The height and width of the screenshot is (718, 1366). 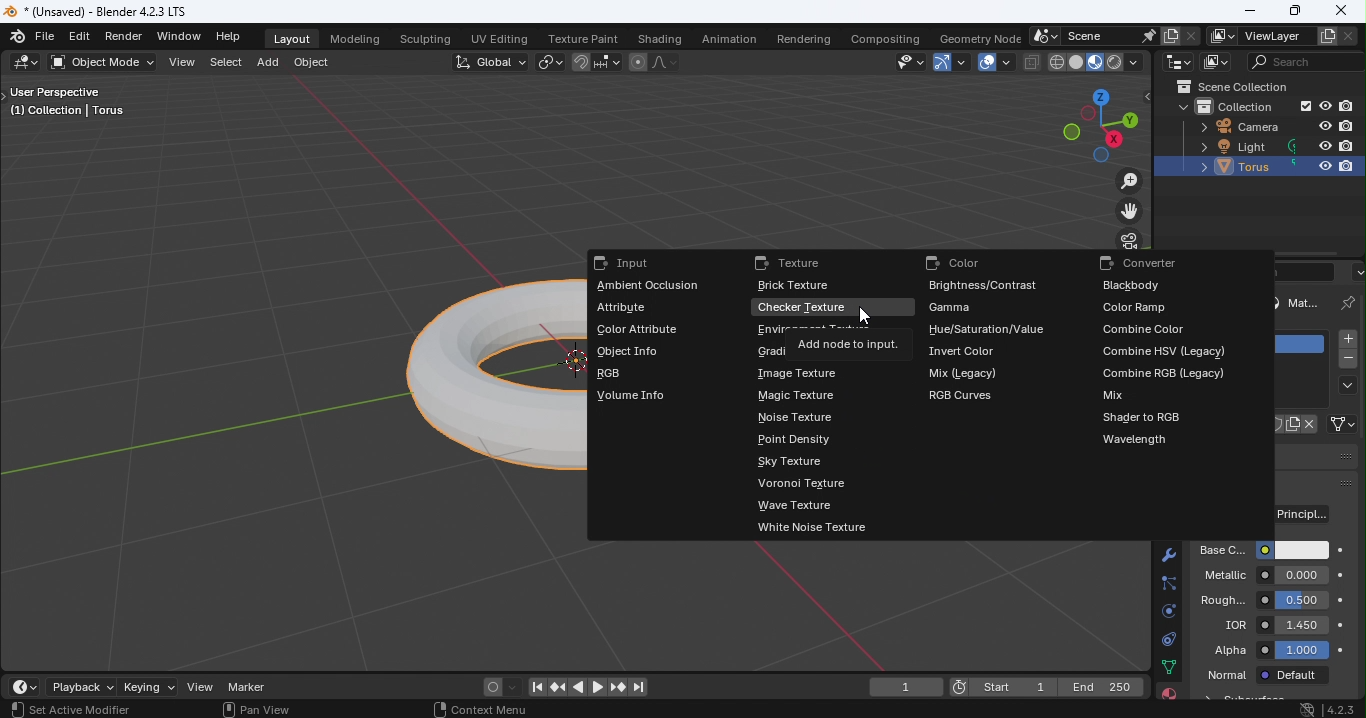 What do you see at coordinates (948, 308) in the screenshot?
I see `Gamma` at bounding box center [948, 308].